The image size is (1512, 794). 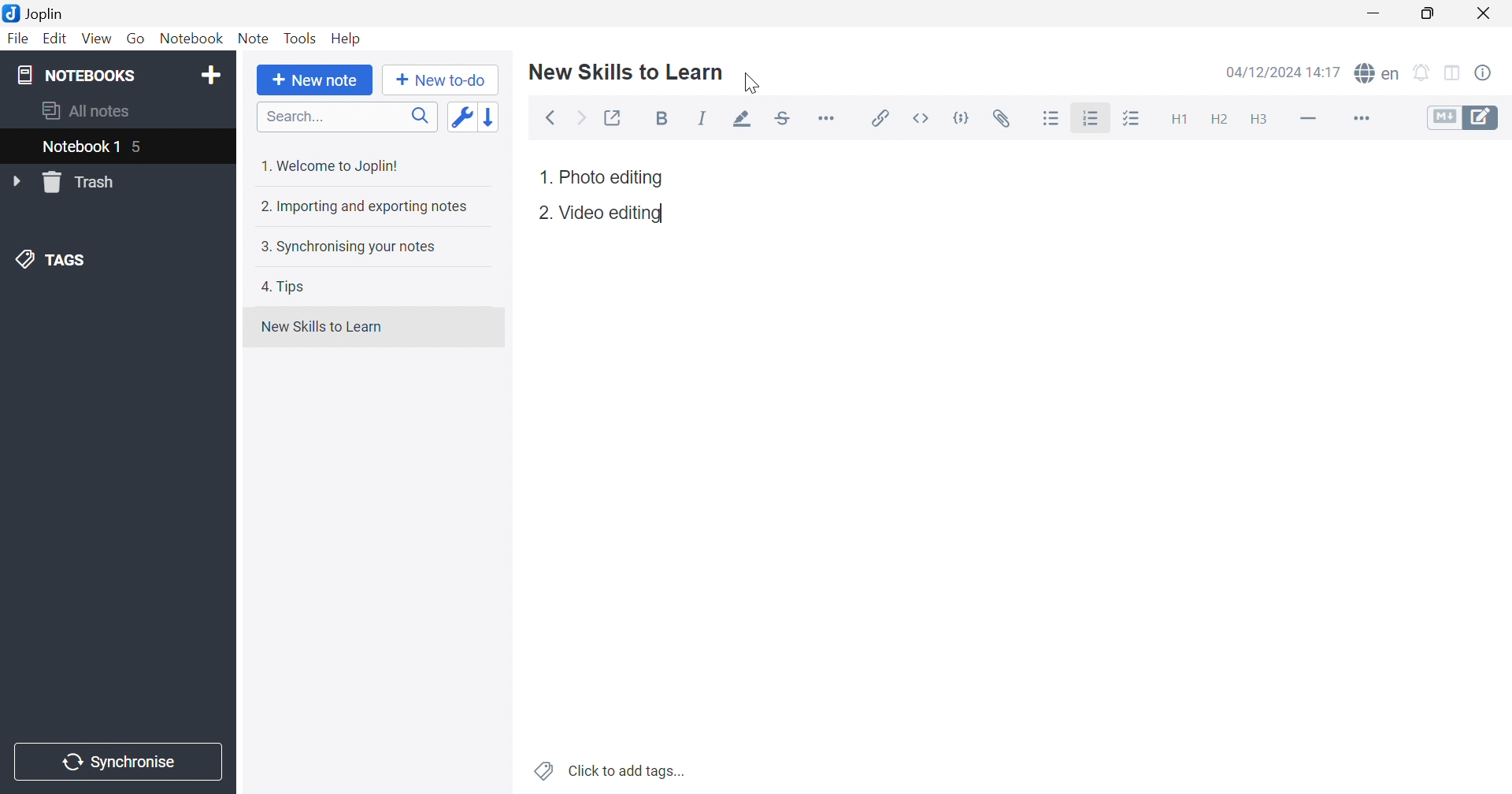 I want to click on Heading 2, so click(x=1219, y=120).